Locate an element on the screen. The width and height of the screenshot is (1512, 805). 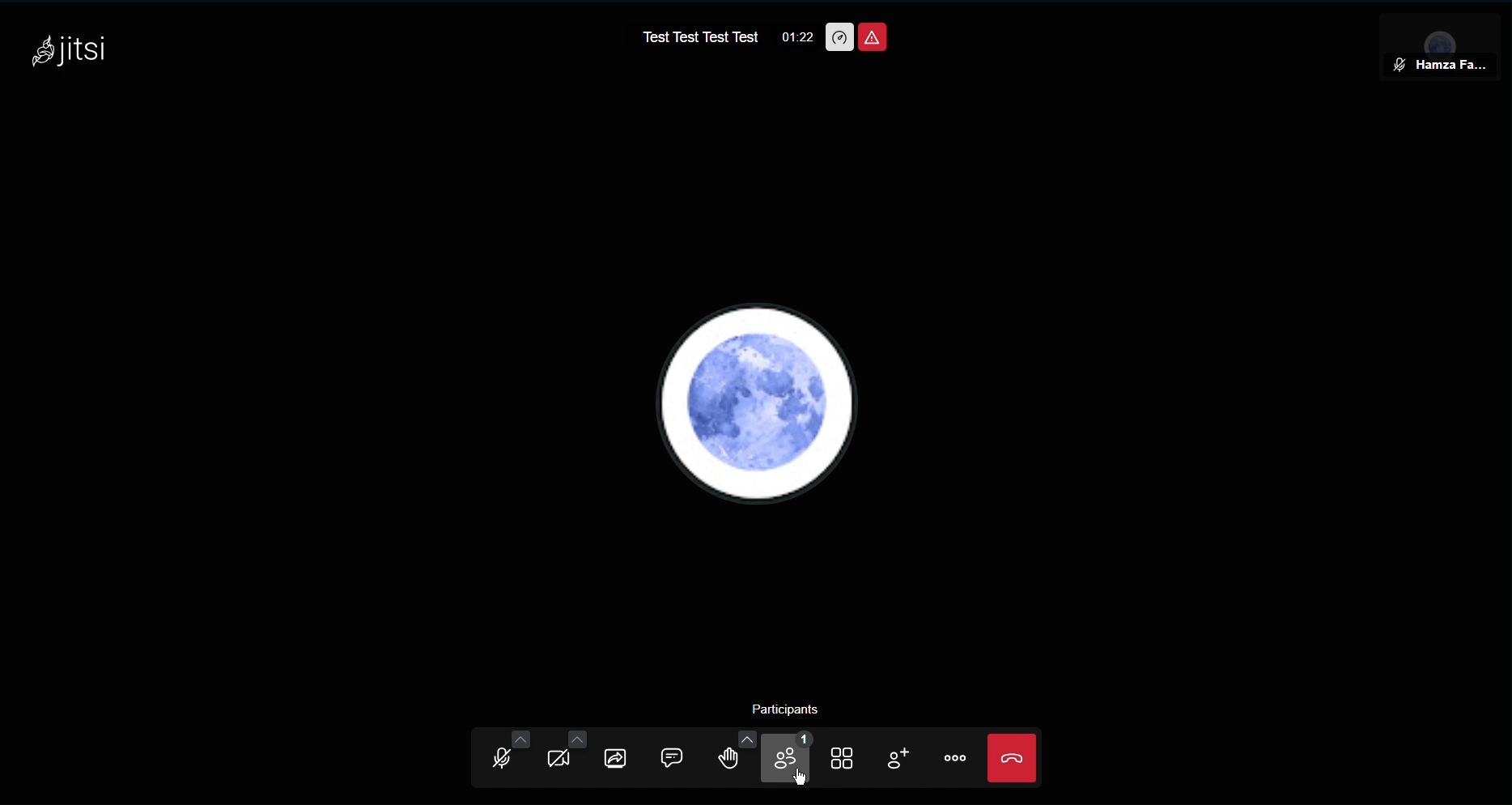
Chat is located at coordinates (680, 757).